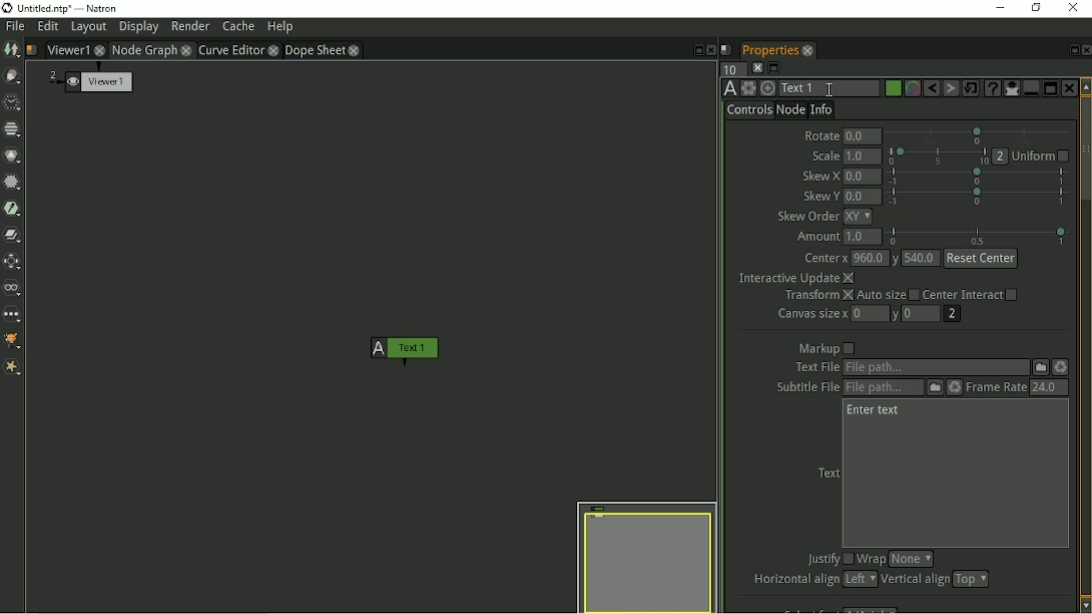  Describe the element at coordinates (977, 198) in the screenshot. I see `selection bar` at that location.